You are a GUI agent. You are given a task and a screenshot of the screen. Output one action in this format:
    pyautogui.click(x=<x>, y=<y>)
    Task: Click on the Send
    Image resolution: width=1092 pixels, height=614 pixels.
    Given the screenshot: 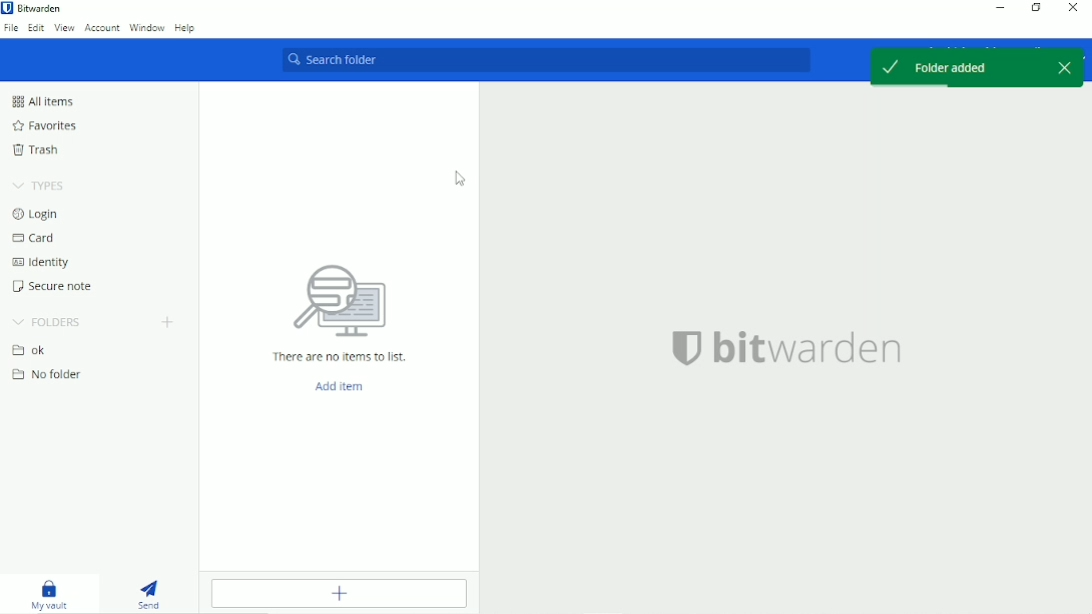 What is the action you would take?
    pyautogui.click(x=154, y=594)
    